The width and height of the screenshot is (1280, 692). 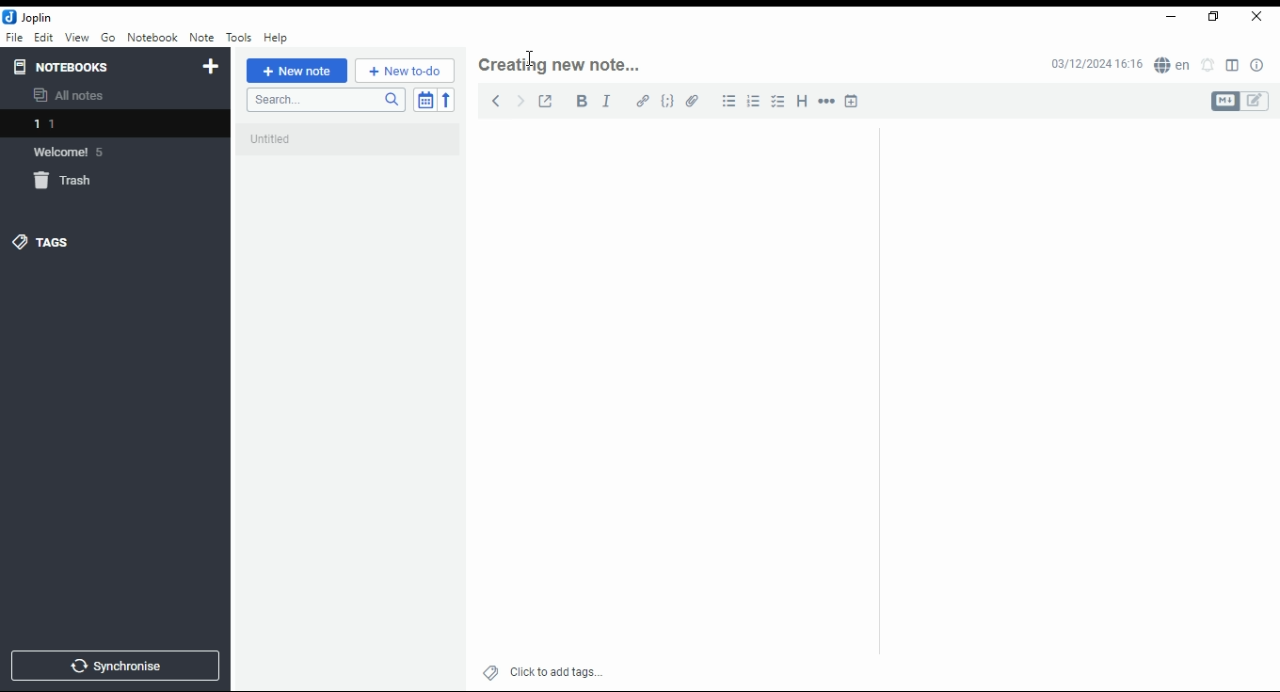 What do you see at coordinates (1258, 17) in the screenshot?
I see `close window` at bounding box center [1258, 17].